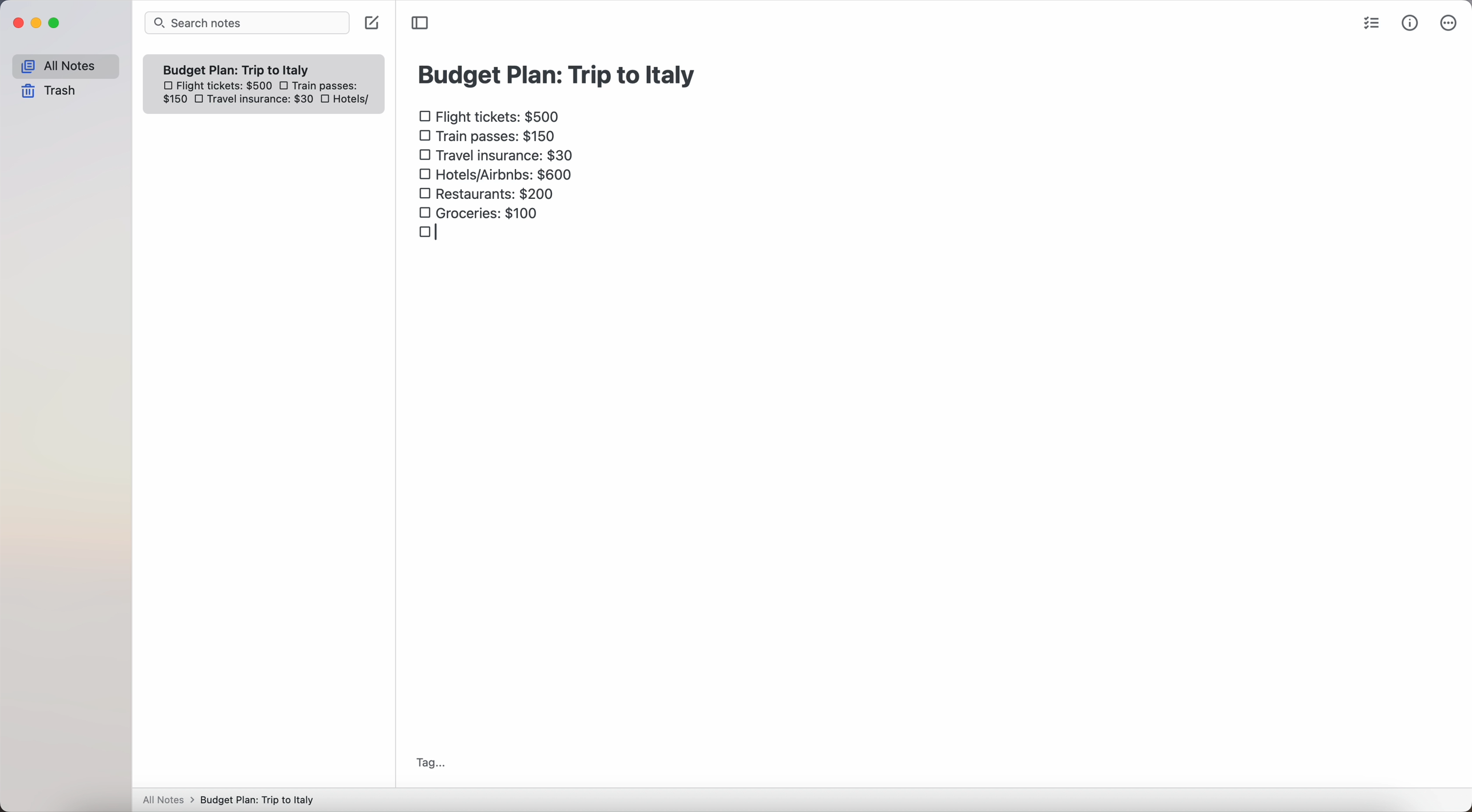 This screenshot has width=1472, height=812. Describe the element at coordinates (49, 91) in the screenshot. I see `trash` at that location.